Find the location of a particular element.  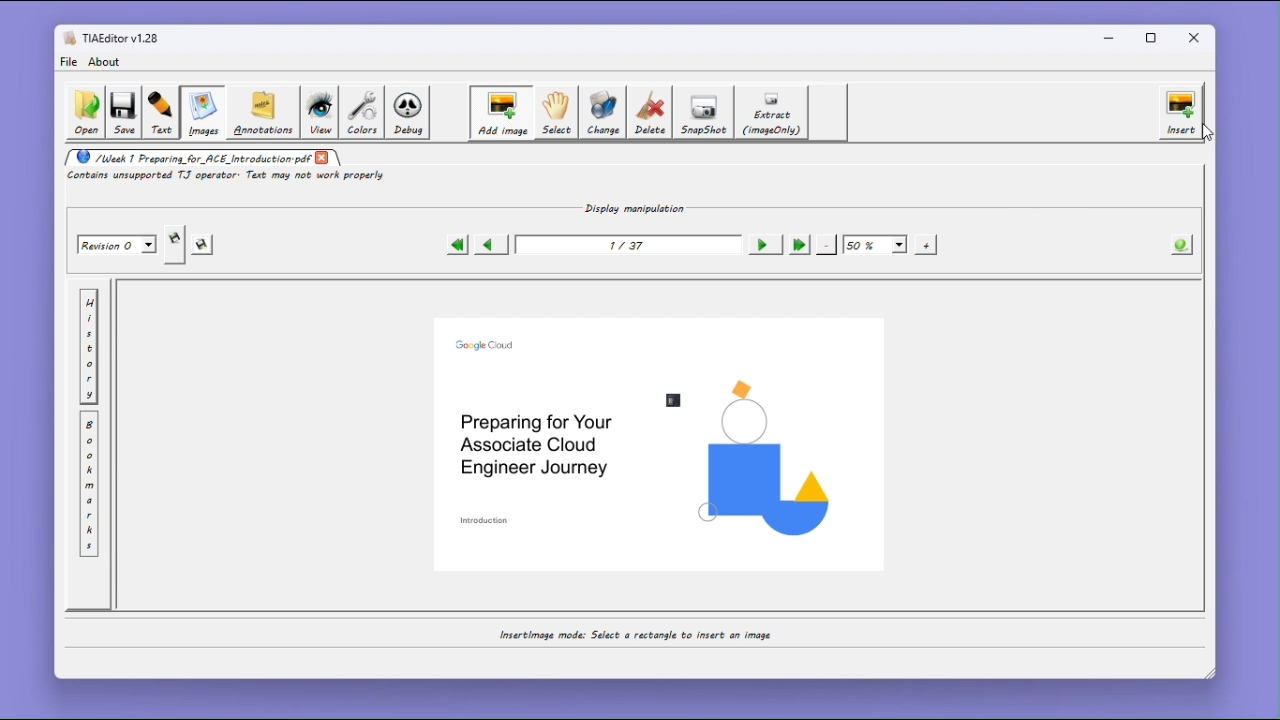

Maximize is located at coordinates (1155, 38).